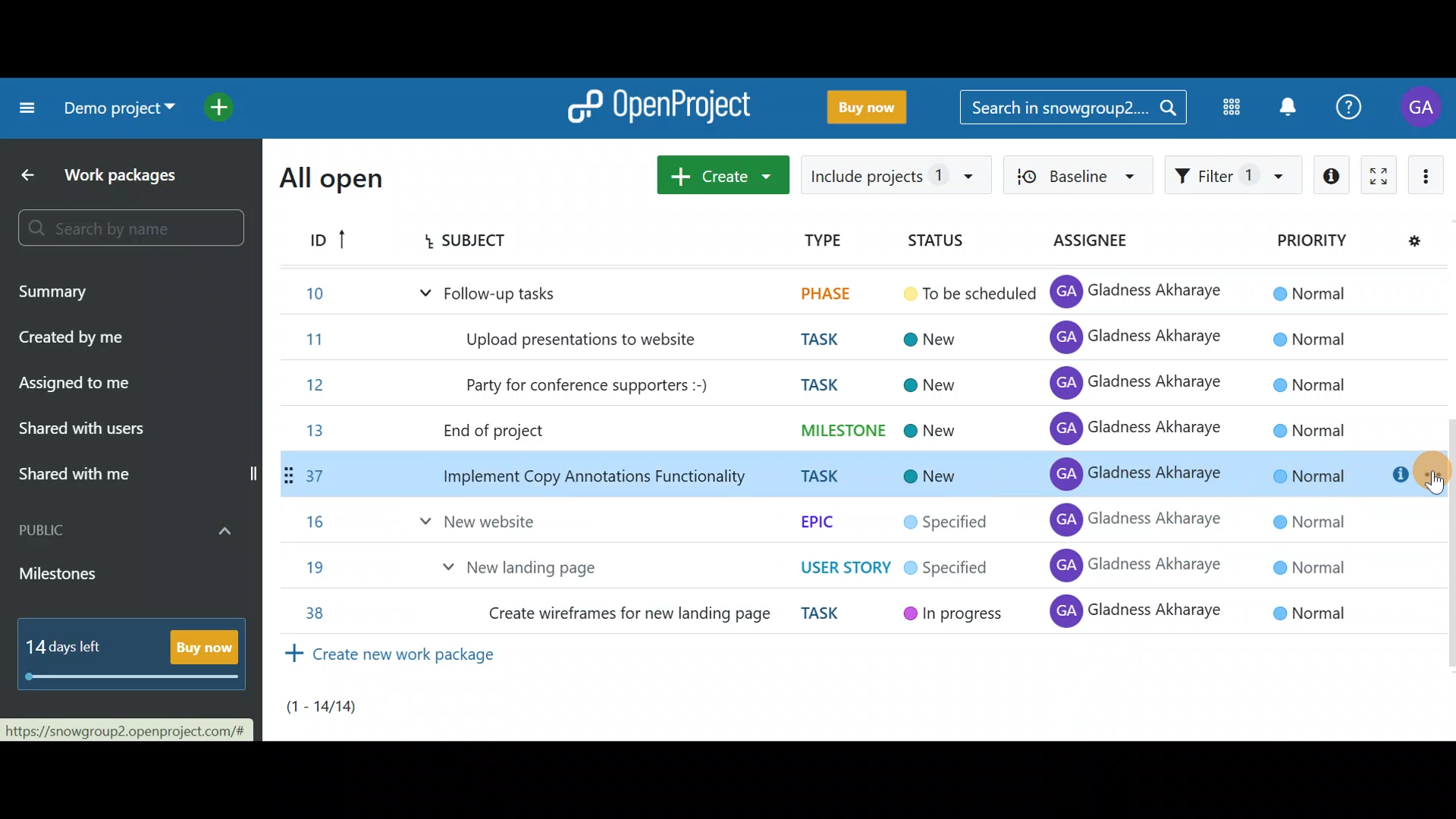 Image resolution: width=1456 pixels, height=819 pixels. Describe the element at coordinates (949, 566) in the screenshot. I see `Specified` at that location.